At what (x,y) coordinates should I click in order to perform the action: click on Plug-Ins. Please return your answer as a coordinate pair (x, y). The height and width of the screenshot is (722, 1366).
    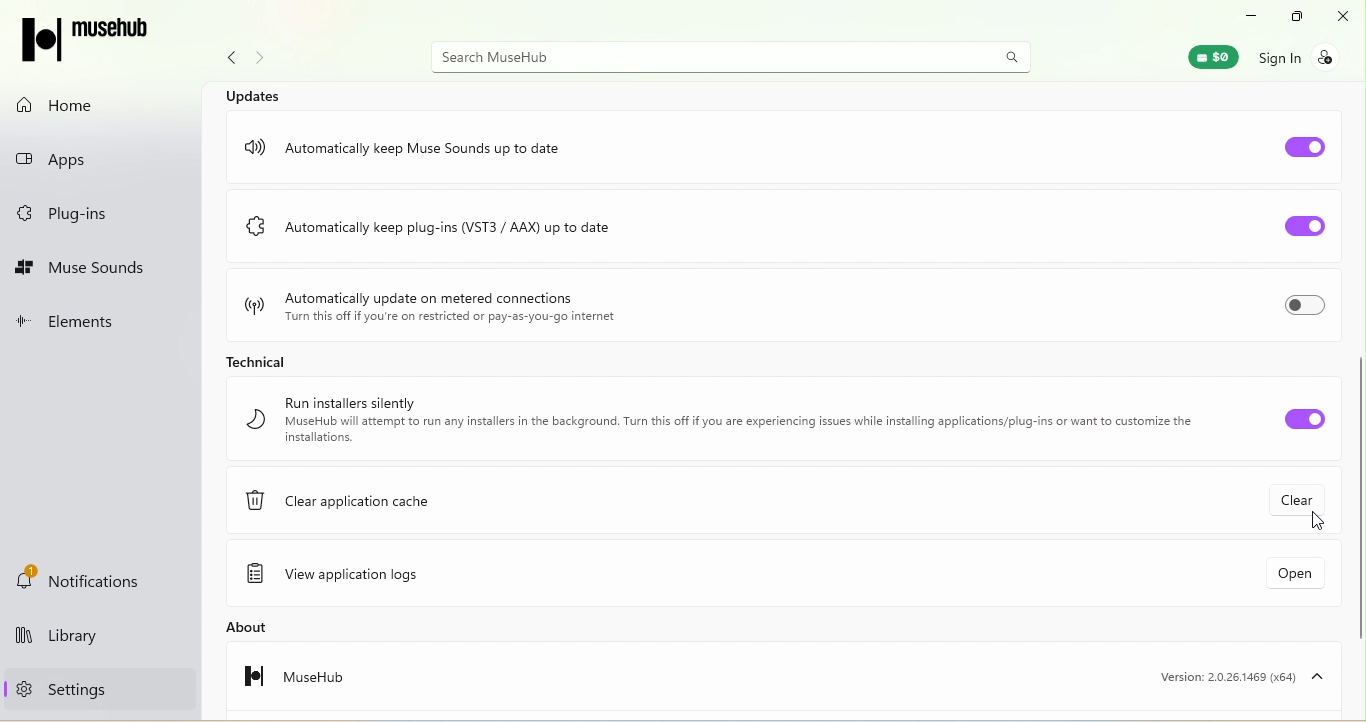
    Looking at the image, I should click on (70, 215).